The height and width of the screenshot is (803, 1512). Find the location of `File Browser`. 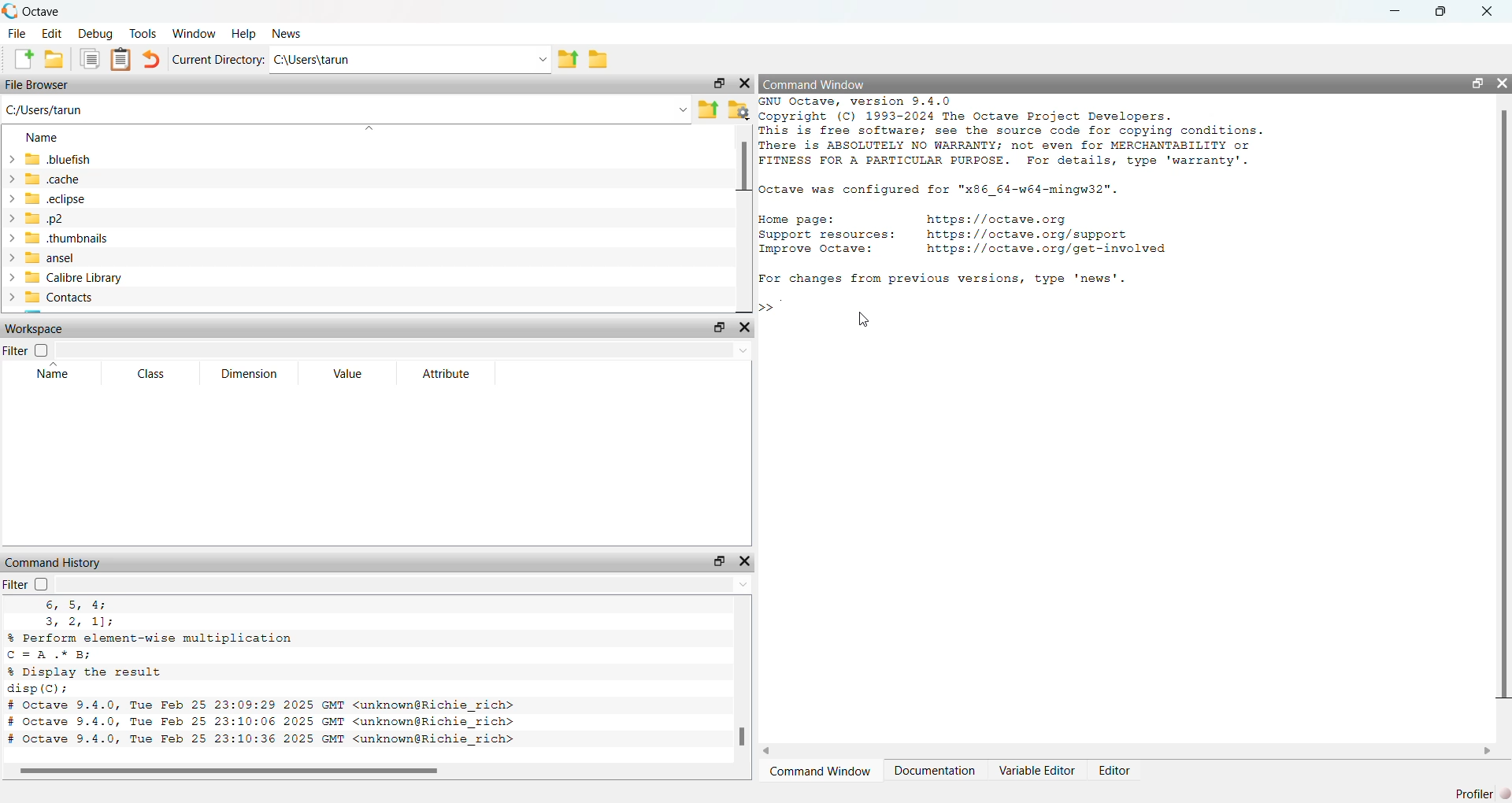

File Browser is located at coordinates (39, 86).